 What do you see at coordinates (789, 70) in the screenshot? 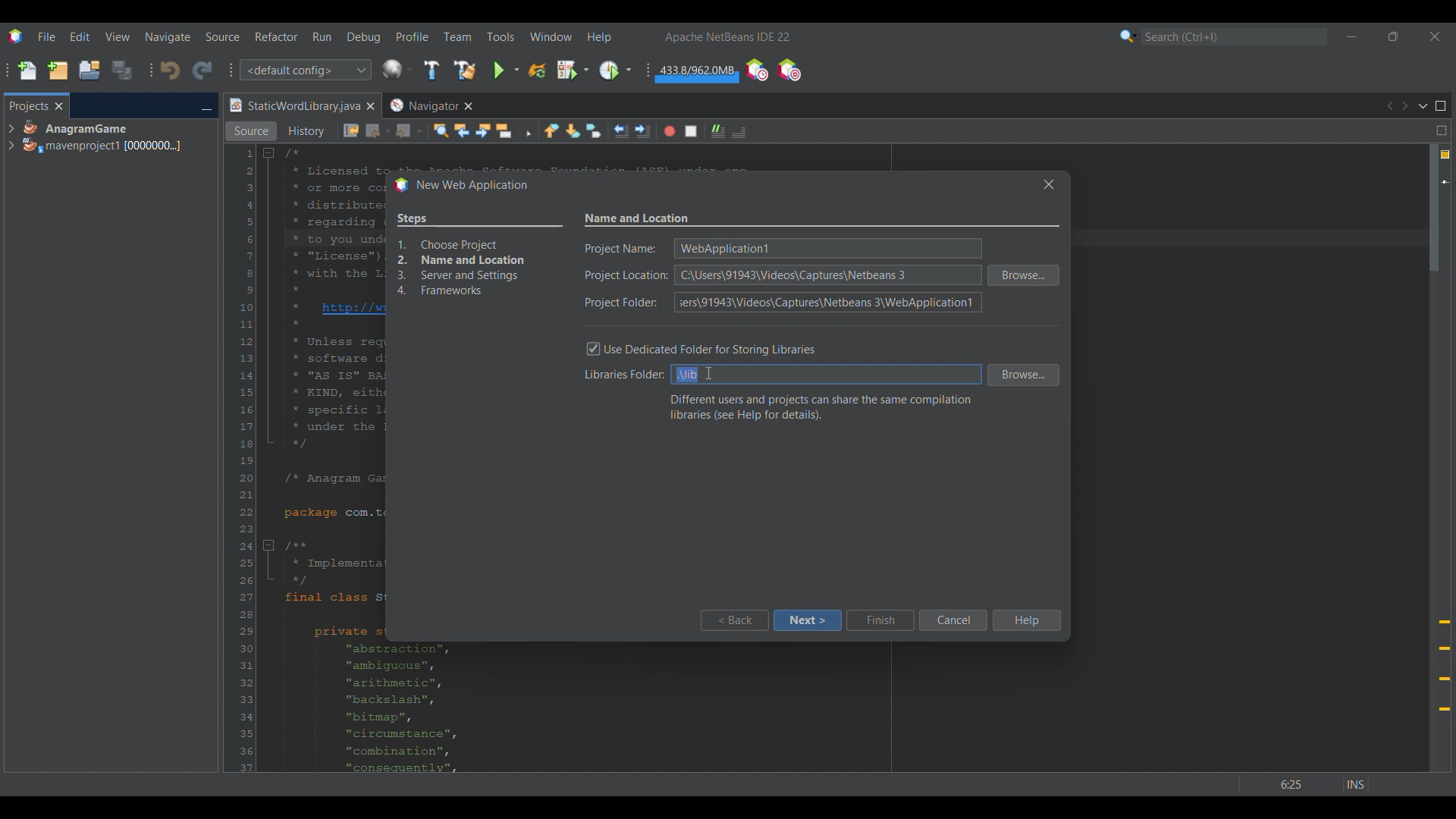
I see `Pause I/O checks` at bounding box center [789, 70].